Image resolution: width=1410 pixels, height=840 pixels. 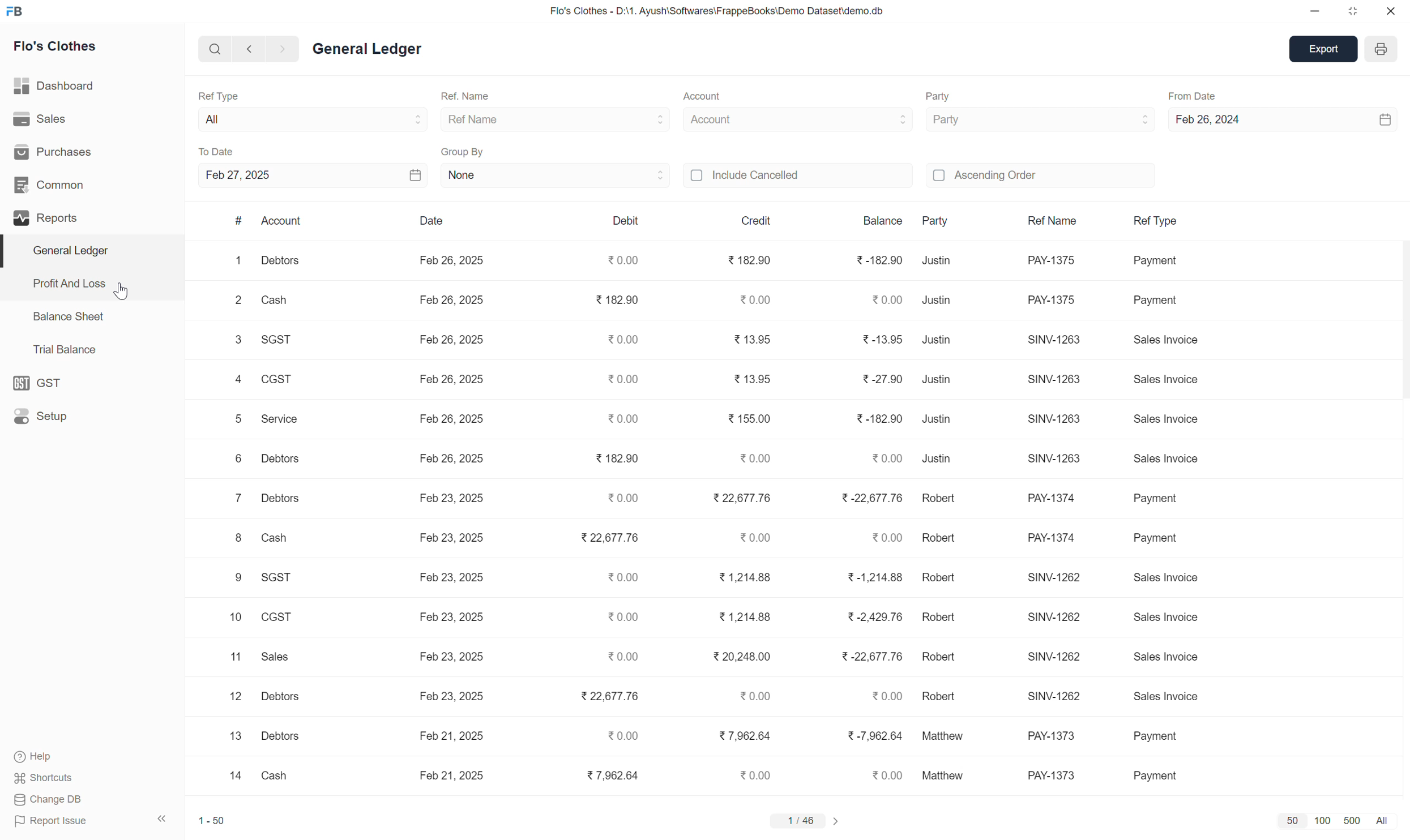 What do you see at coordinates (486, 121) in the screenshot?
I see `Ref Name` at bounding box center [486, 121].